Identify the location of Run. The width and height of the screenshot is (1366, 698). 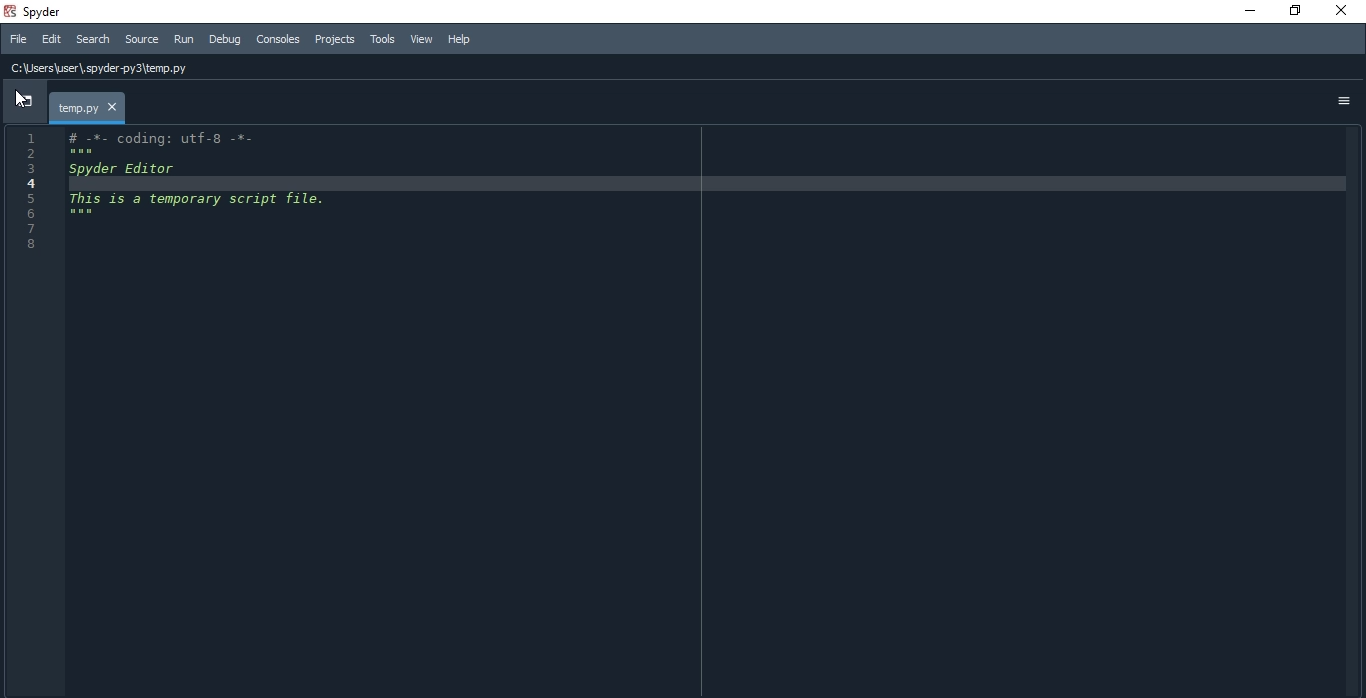
(184, 41).